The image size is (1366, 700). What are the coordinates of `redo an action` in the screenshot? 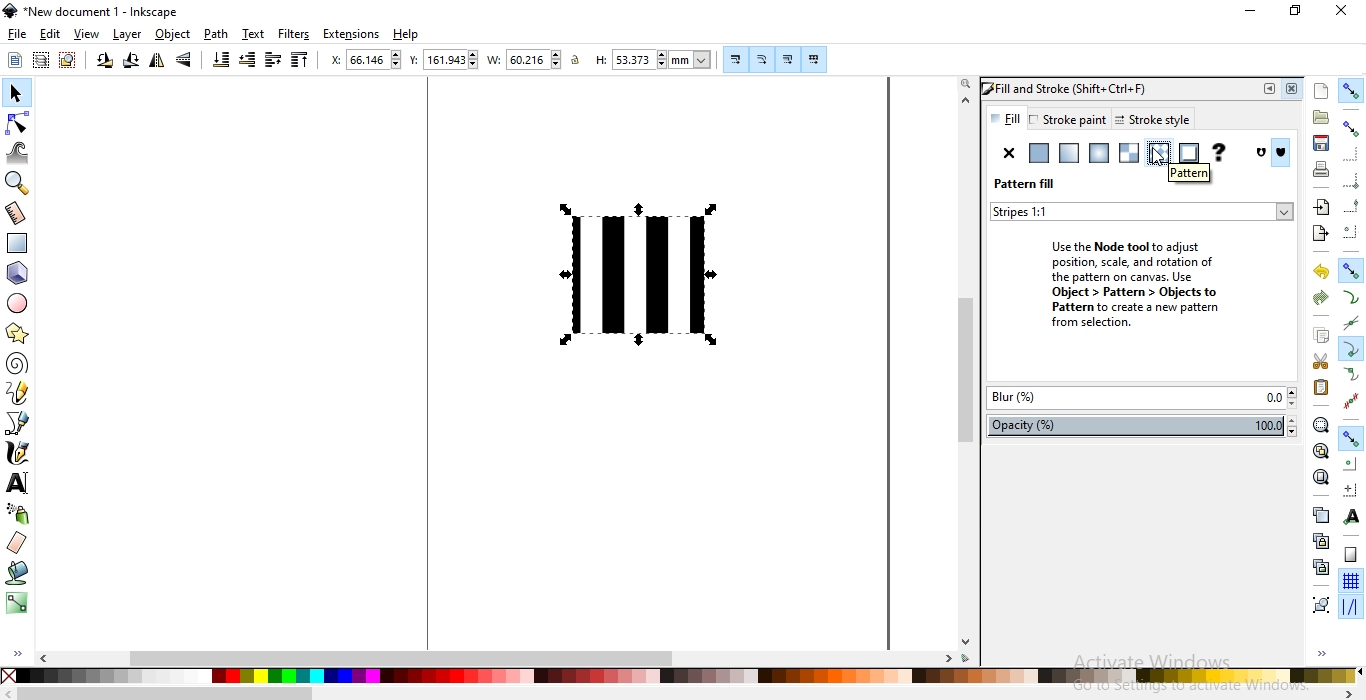 It's located at (1320, 296).